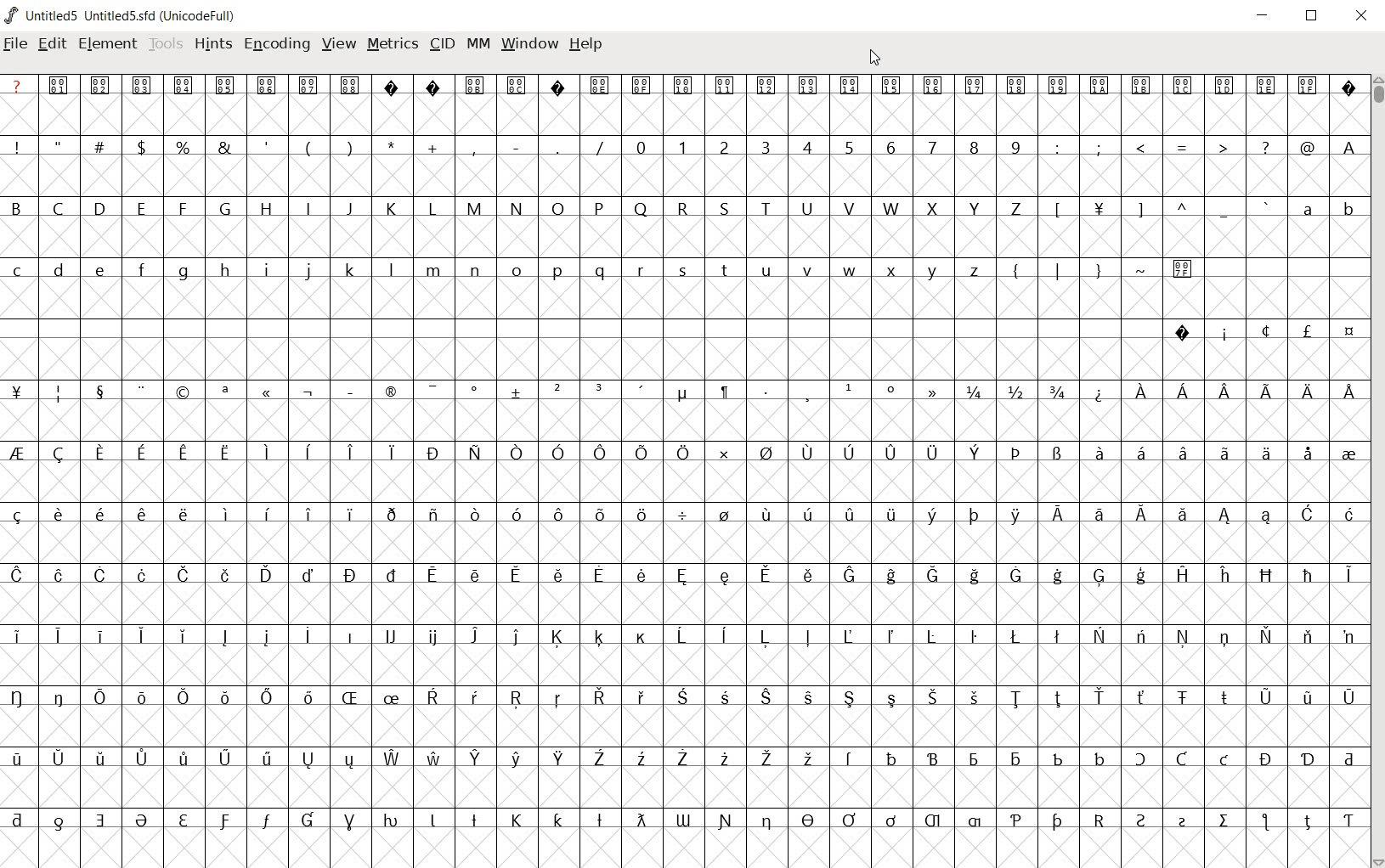  What do you see at coordinates (100, 272) in the screenshot?
I see `` at bounding box center [100, 272].